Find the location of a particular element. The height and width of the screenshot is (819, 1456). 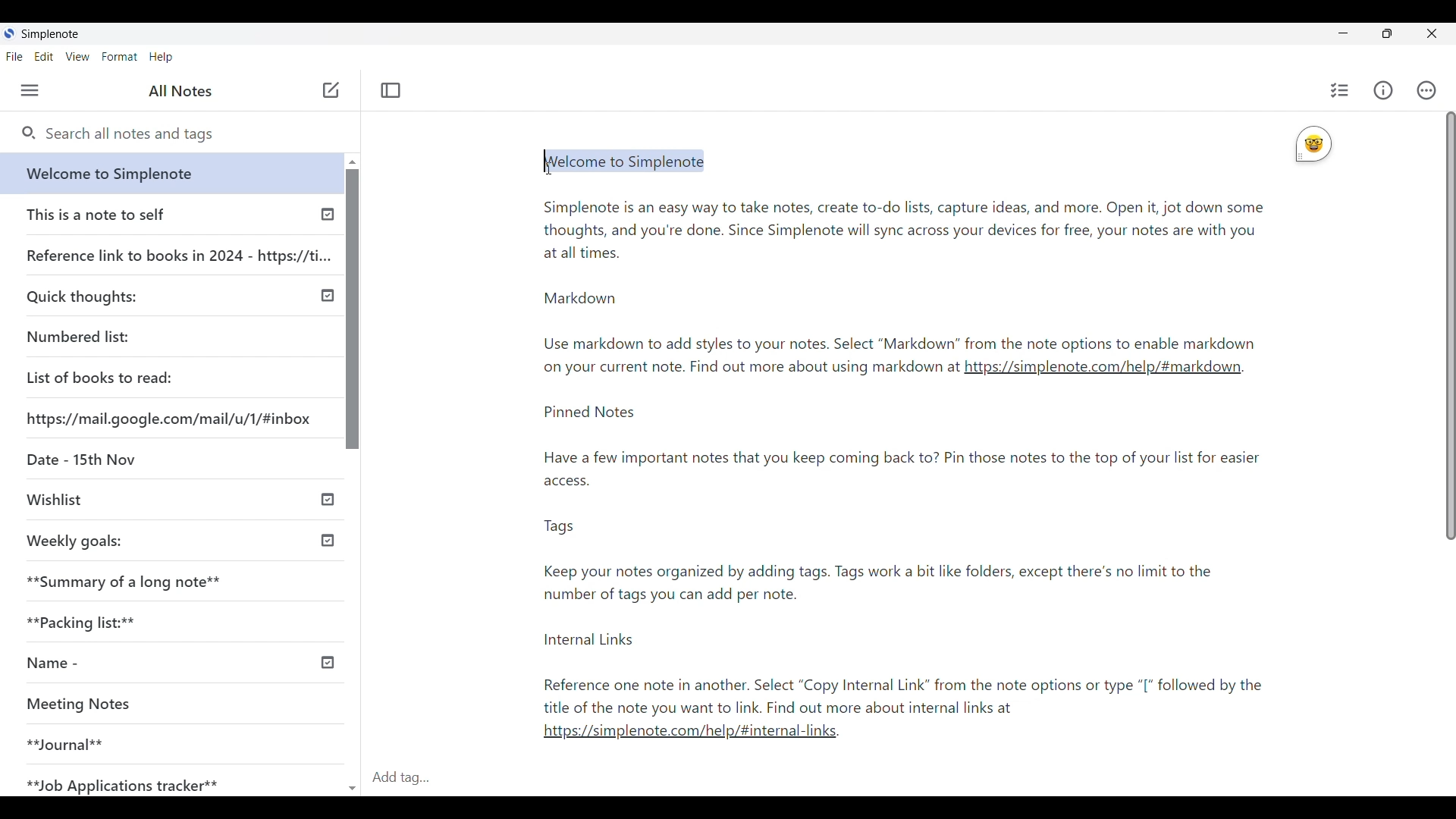

Quick thoughts is located at coordinates (82, 297).